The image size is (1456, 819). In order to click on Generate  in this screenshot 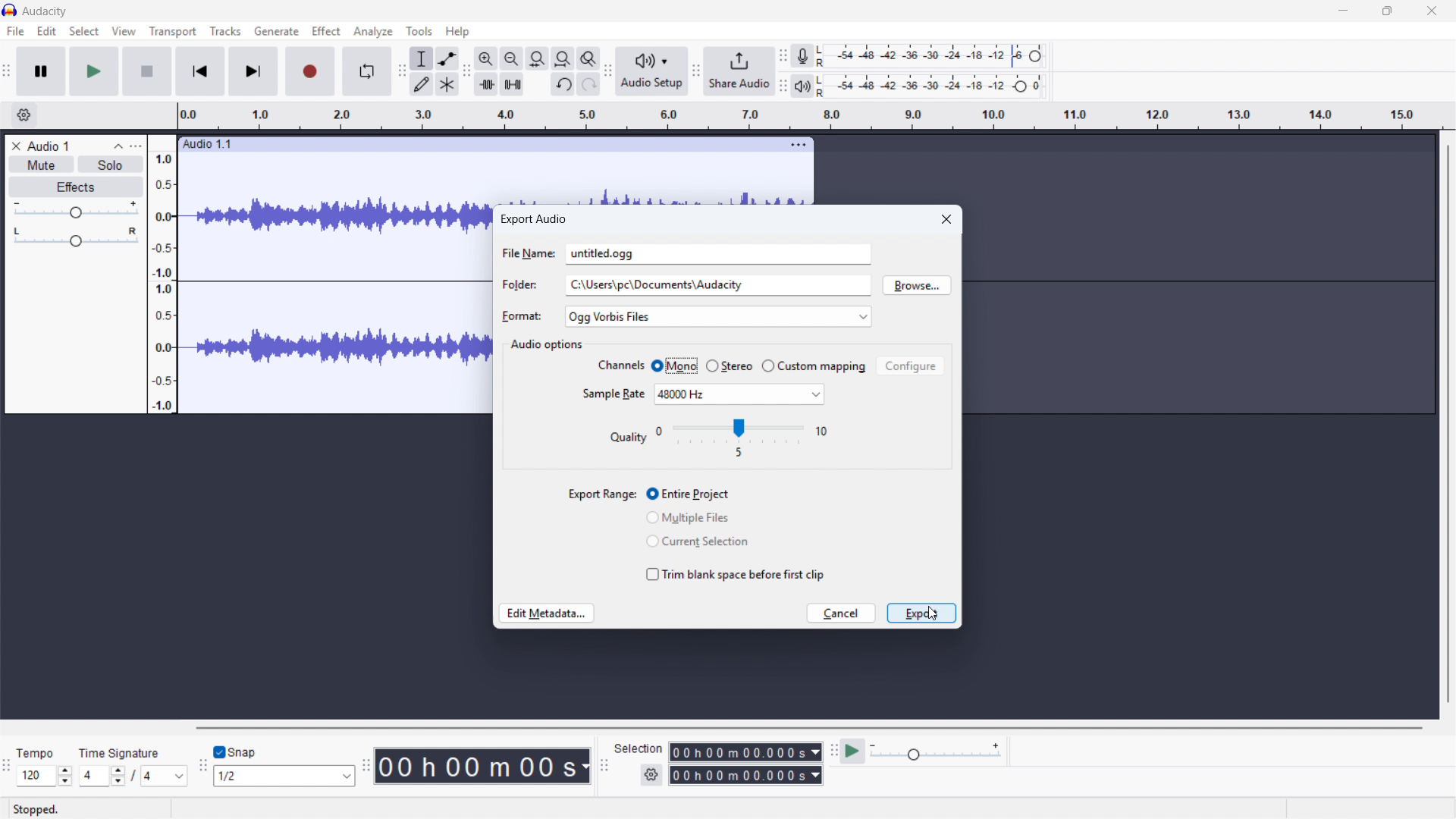, I will do `click(275, 30)`.